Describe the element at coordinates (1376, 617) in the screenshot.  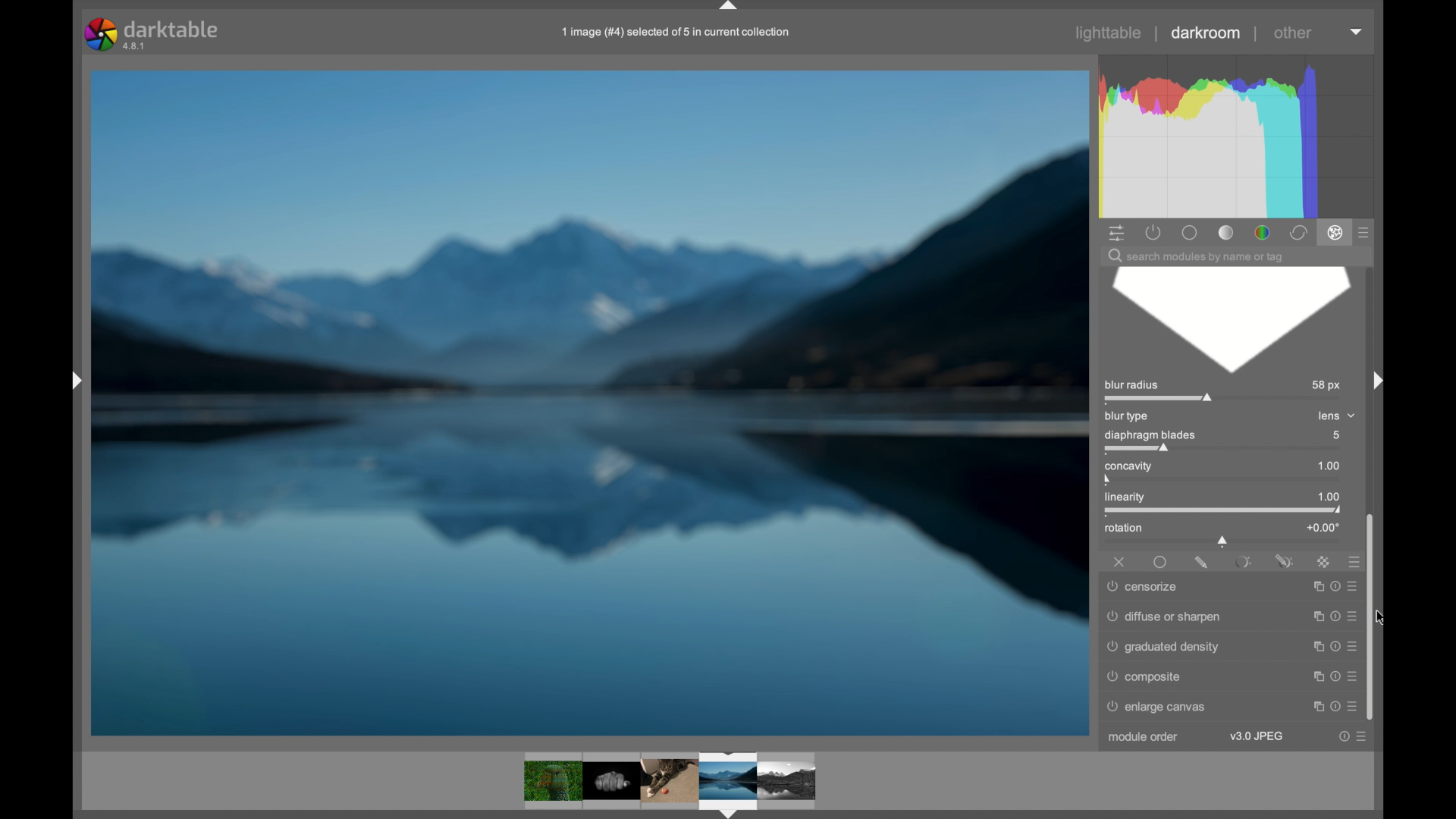
I see `scroll box` at that location.